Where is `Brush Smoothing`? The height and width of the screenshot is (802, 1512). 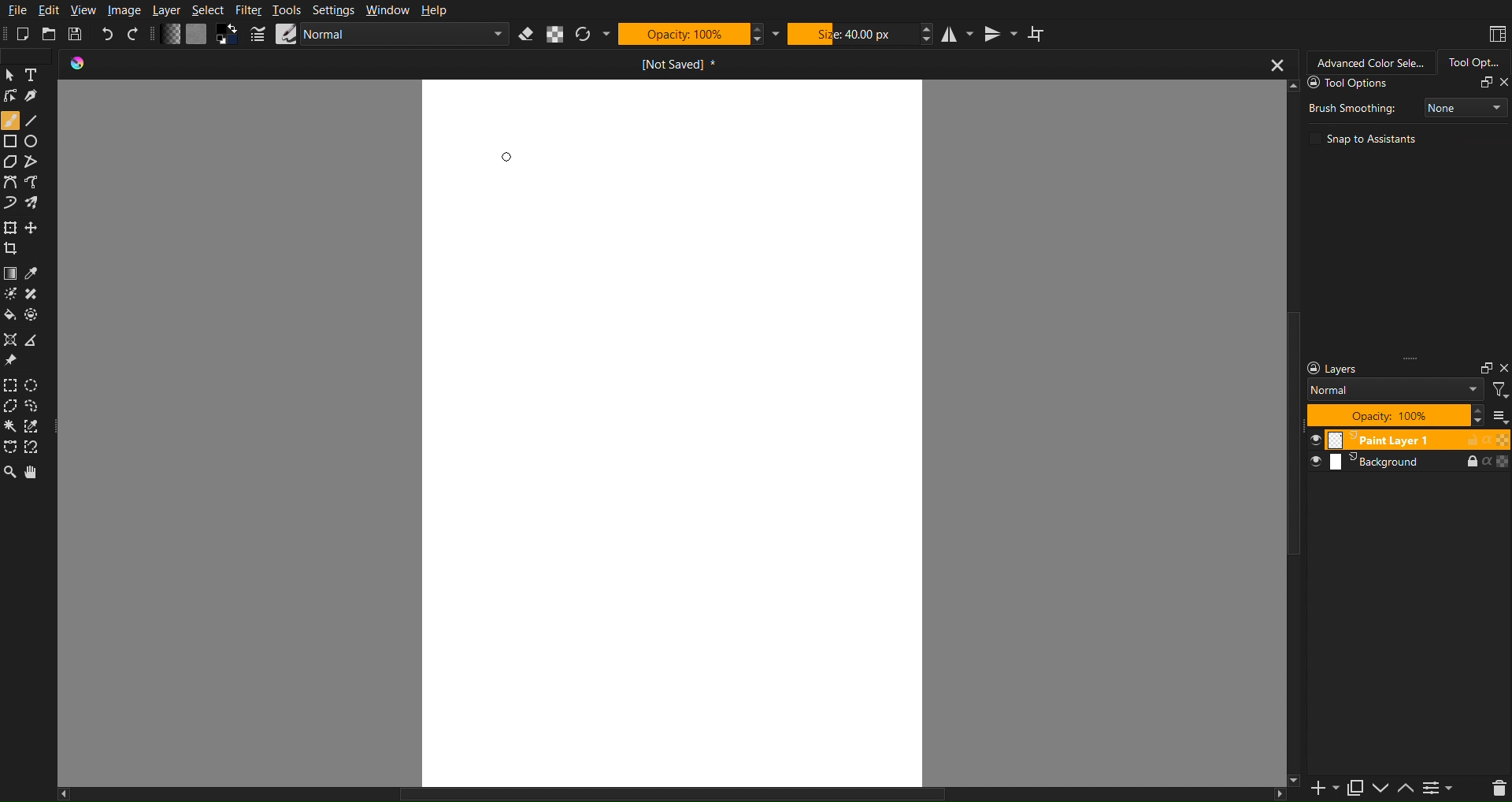
Brush Smoothing is located at coordinates (1351, 106).